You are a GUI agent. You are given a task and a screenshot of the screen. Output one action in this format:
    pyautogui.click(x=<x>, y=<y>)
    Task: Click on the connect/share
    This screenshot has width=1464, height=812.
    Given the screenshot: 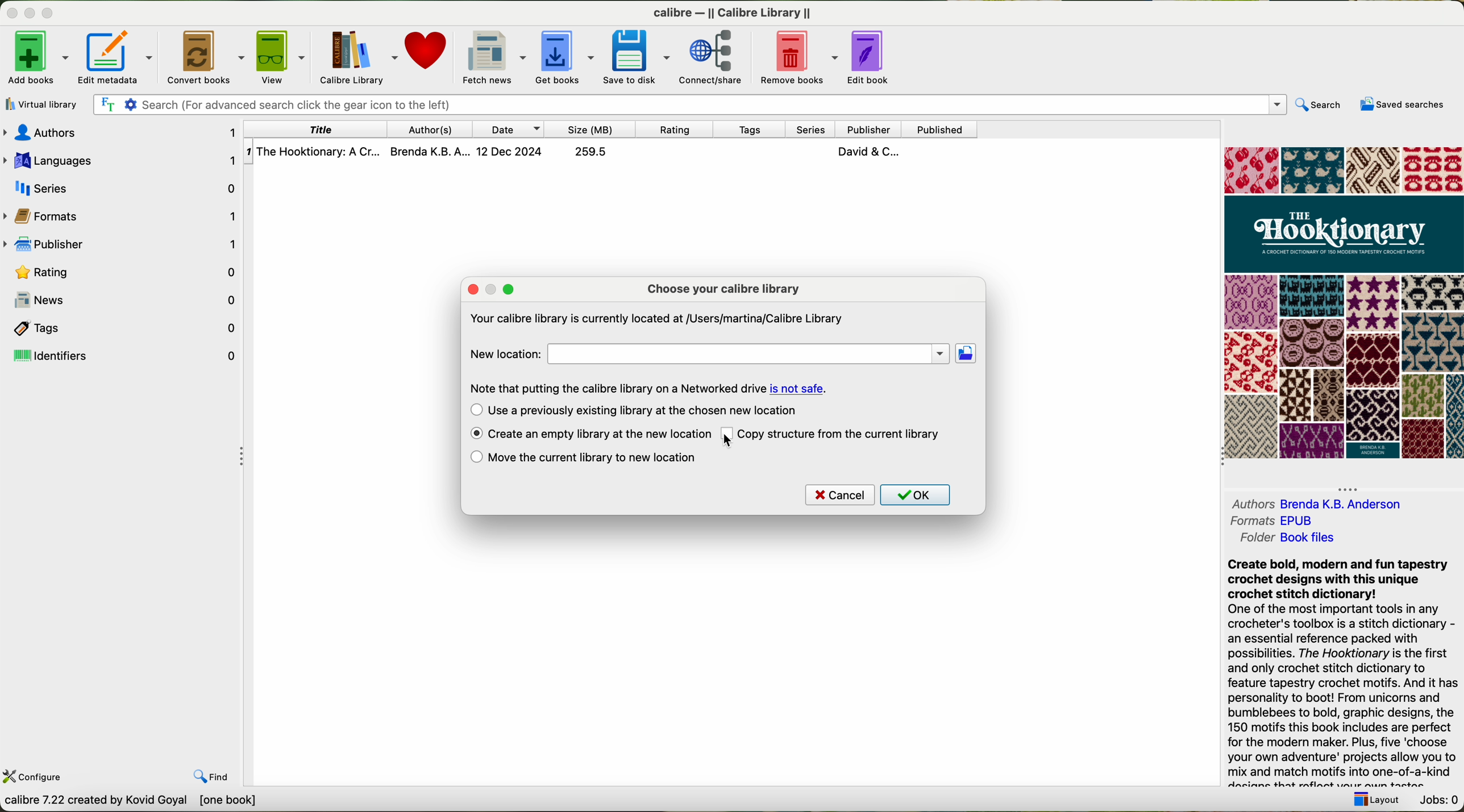 What is the action you would take?
    pyautogui.click(x=712, y=57)
    